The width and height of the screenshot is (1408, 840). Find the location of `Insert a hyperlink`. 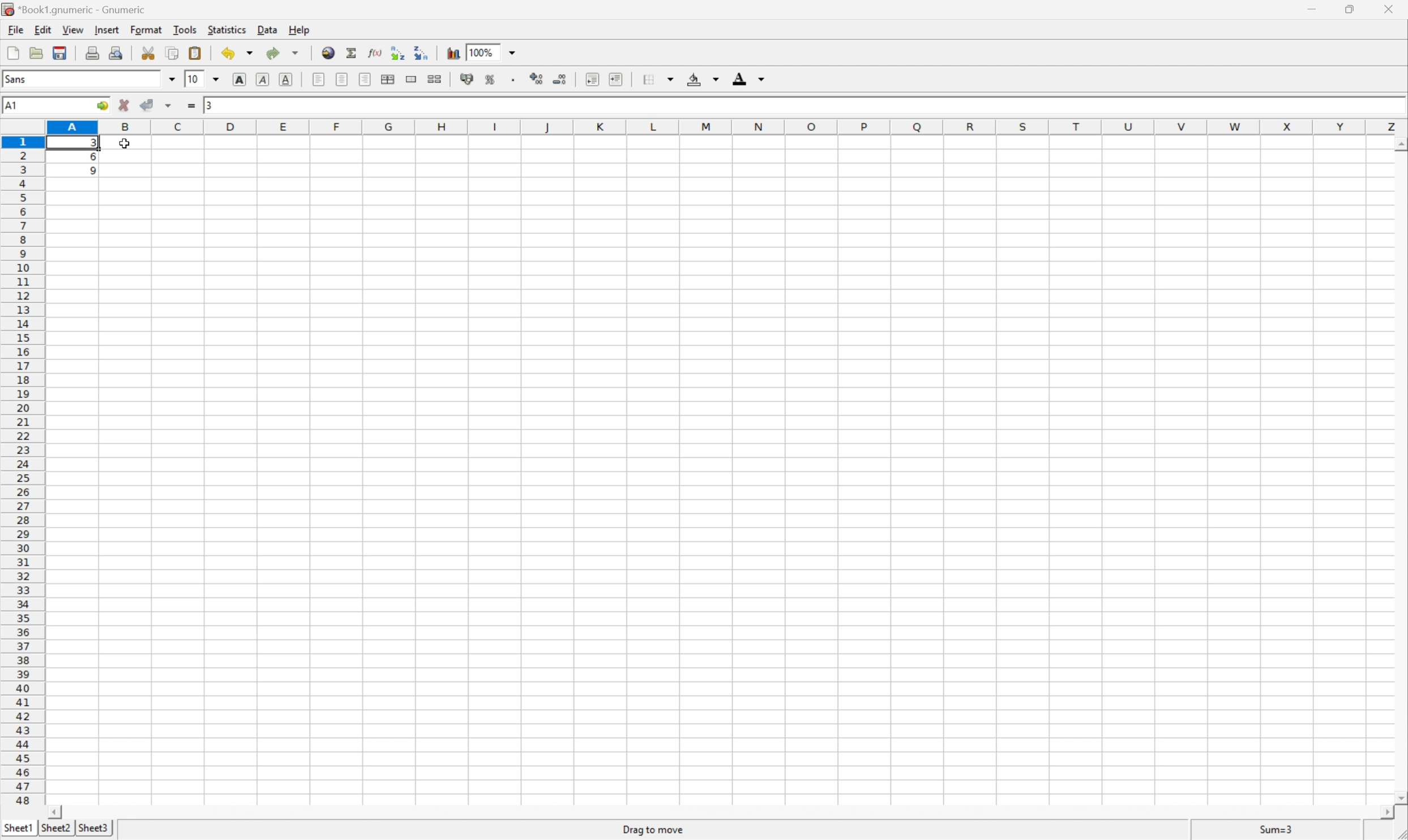

Insert a hyperlink is located at coordinates (328, 53).